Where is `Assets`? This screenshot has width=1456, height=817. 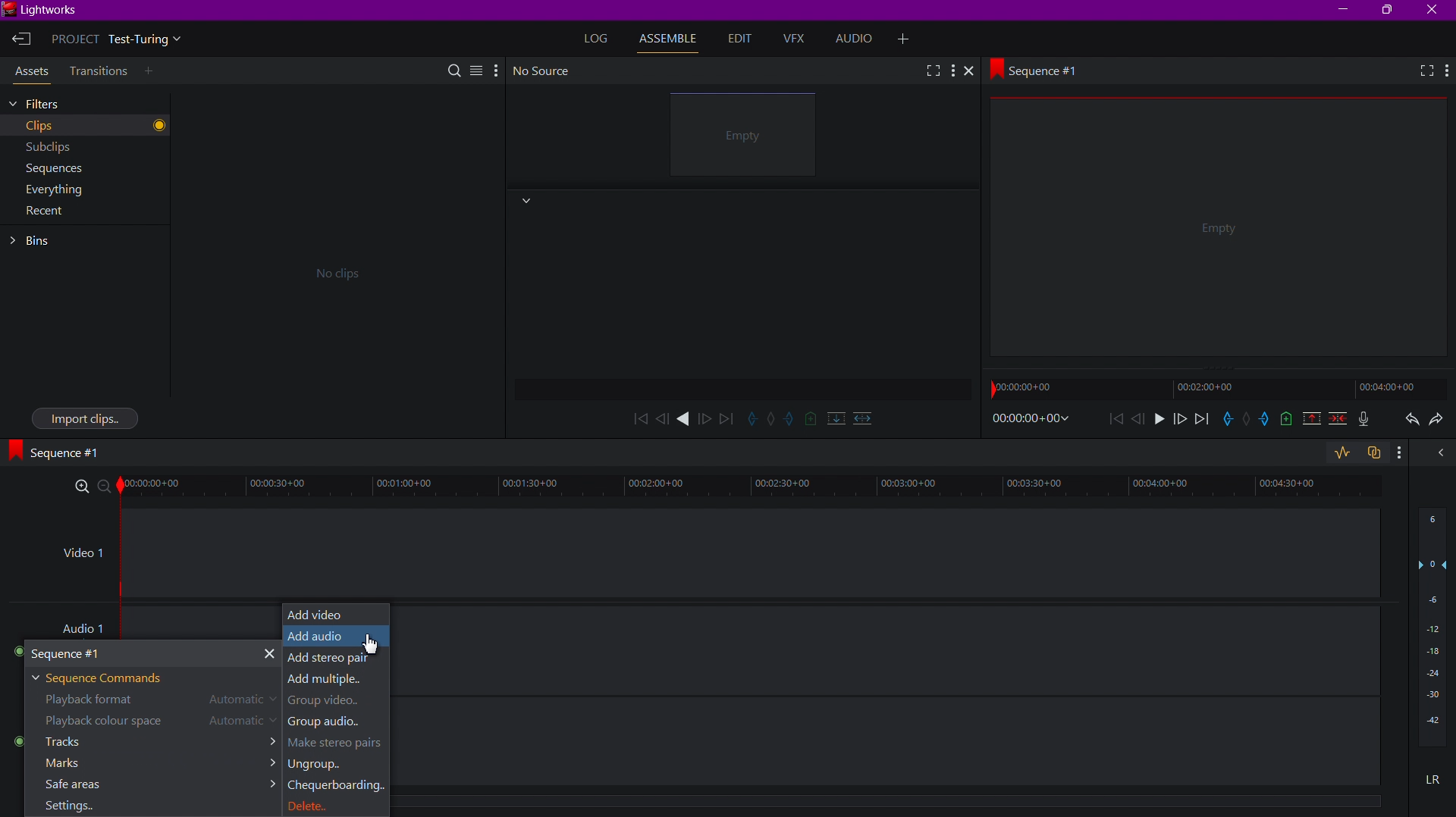
Assets is located at coordinates (29, 74).